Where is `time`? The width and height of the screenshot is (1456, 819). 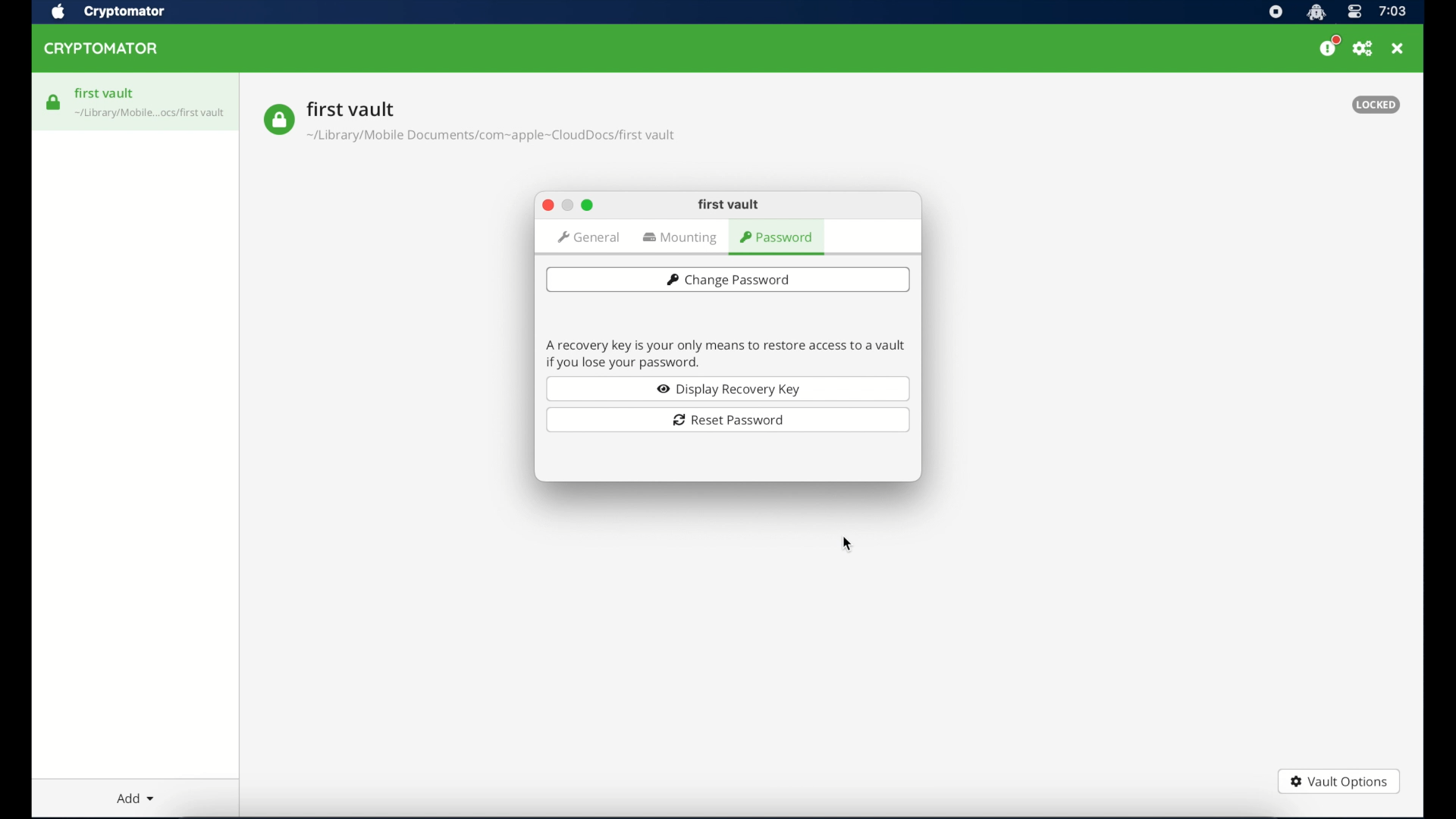
time is located at coordinates (1392, 12).